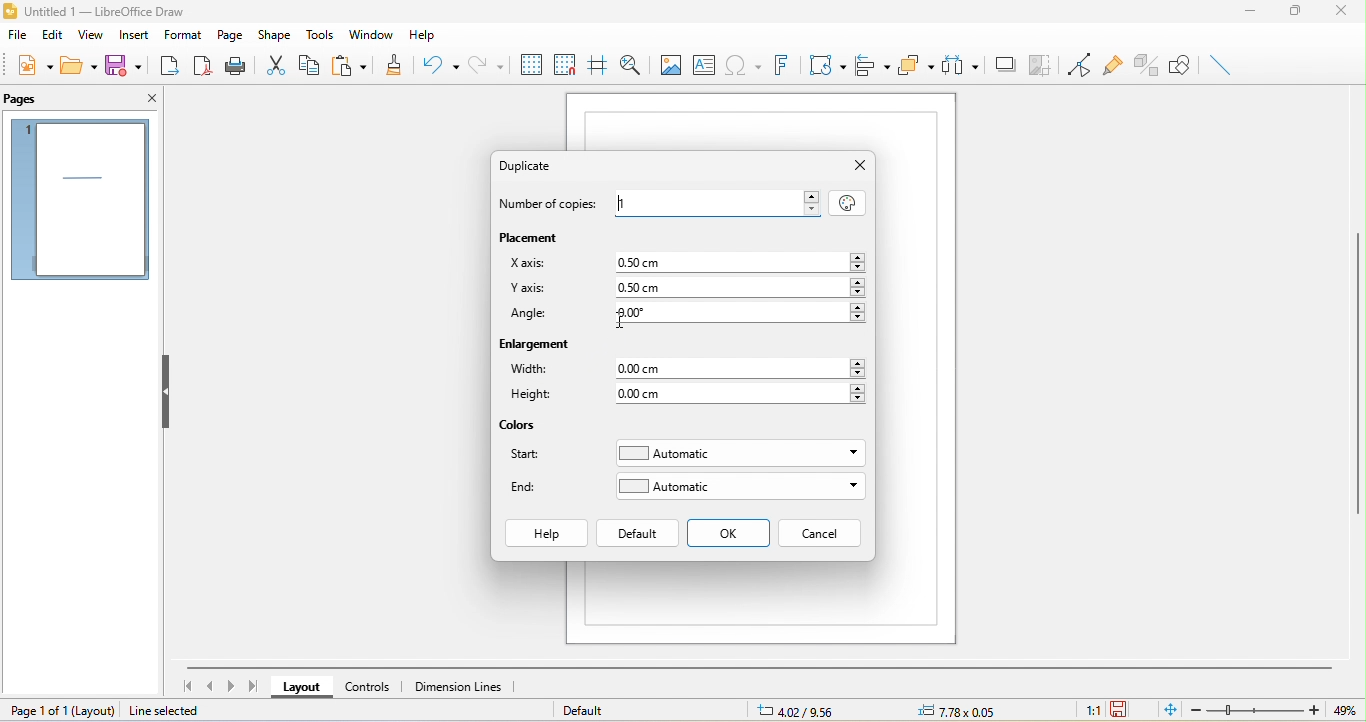 The image size is (1366, 722). I want to click on snap to grid, so click(564, 62).